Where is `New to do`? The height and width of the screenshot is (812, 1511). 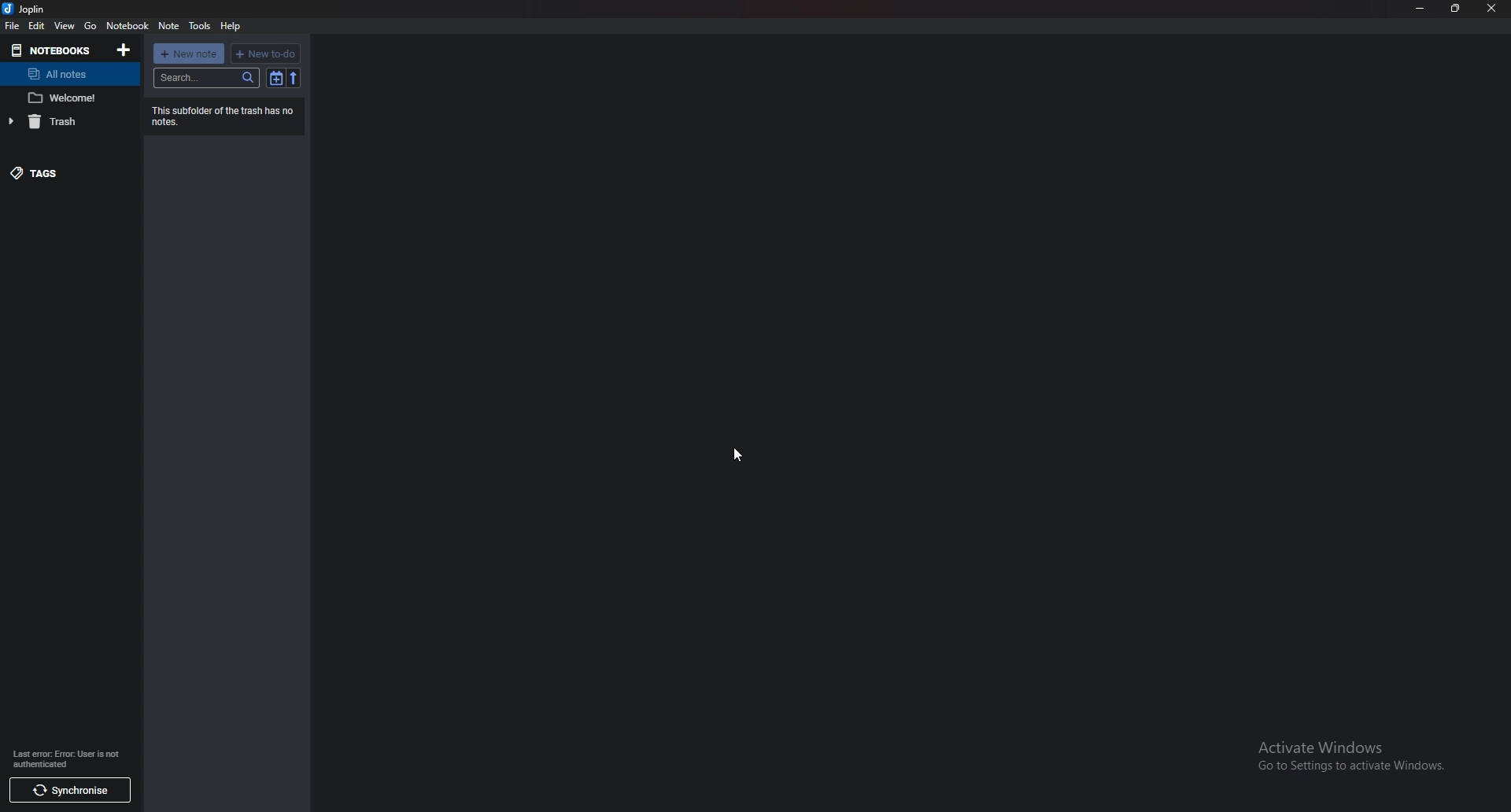 New to do is located at coordinates (267, 54).